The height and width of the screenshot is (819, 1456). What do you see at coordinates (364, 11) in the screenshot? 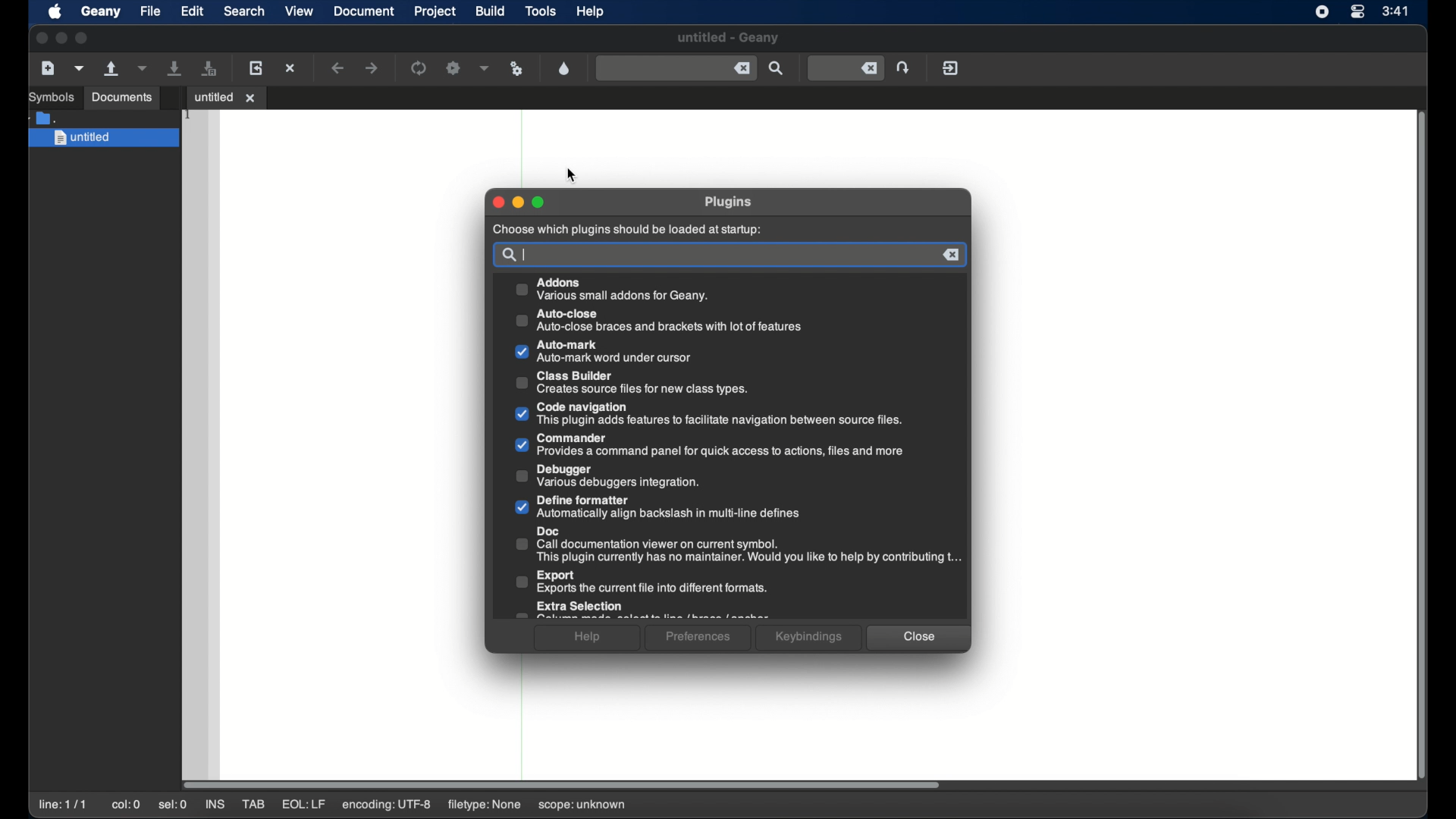
I see `document` at bounding box center [364, 11].